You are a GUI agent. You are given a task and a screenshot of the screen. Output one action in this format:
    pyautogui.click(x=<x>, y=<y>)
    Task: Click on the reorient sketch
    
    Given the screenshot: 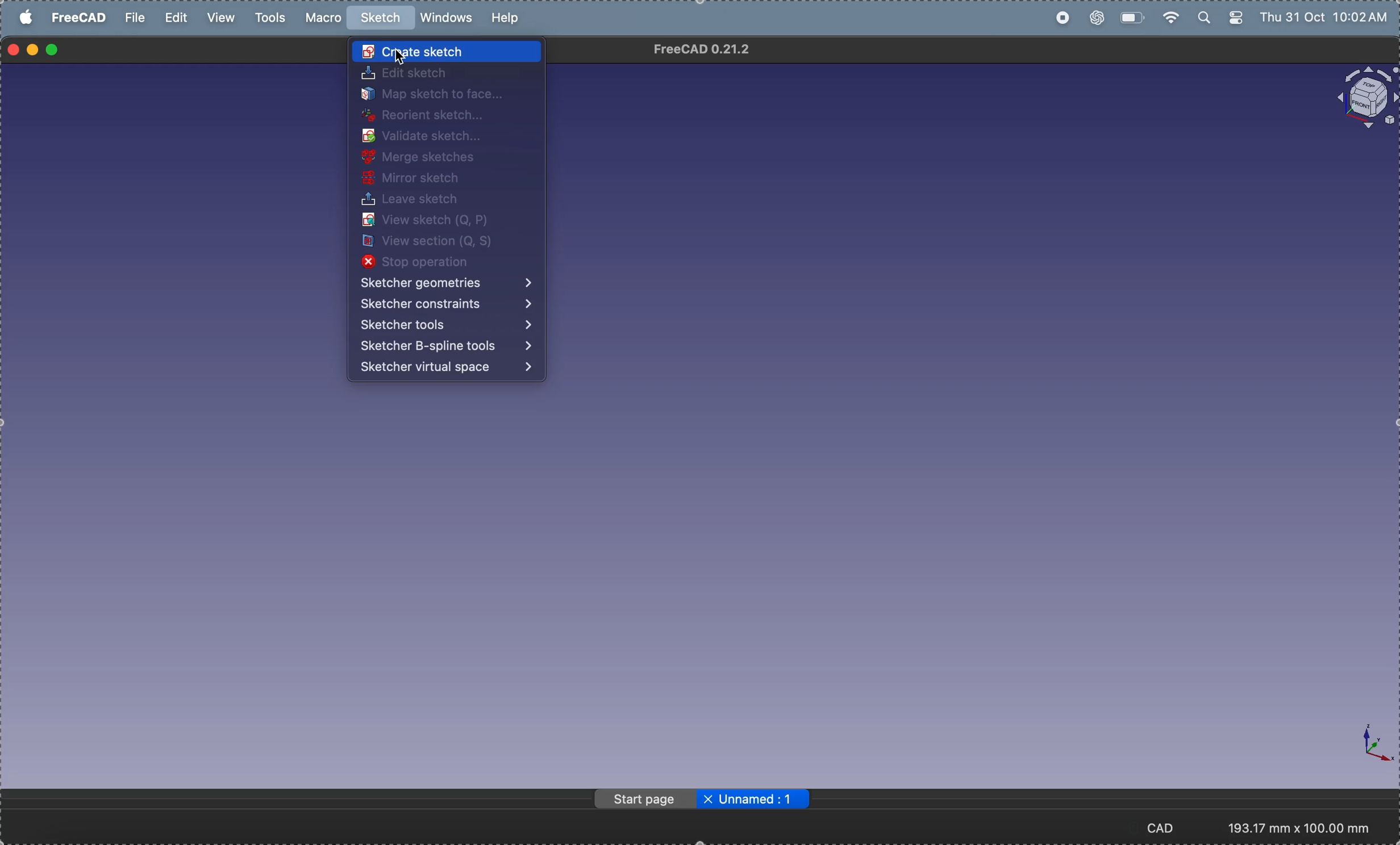 What is the action you would take?
    pyautogui.click(x=441, y=116)
    